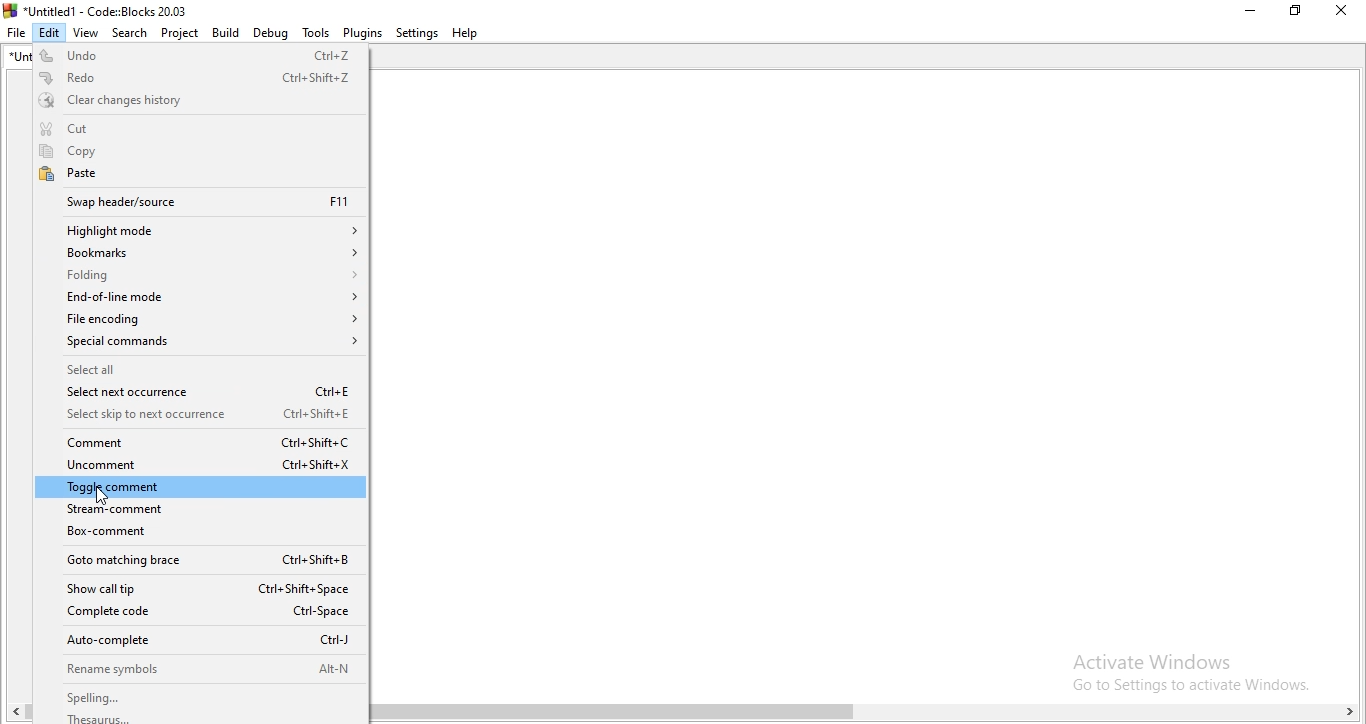 Image resolution: width=1366 pixels, height=724 pixels. What do you see at coordinates (219, 718) in the screenshot?
I see `thesaurus` at bounding box center [219, 718].